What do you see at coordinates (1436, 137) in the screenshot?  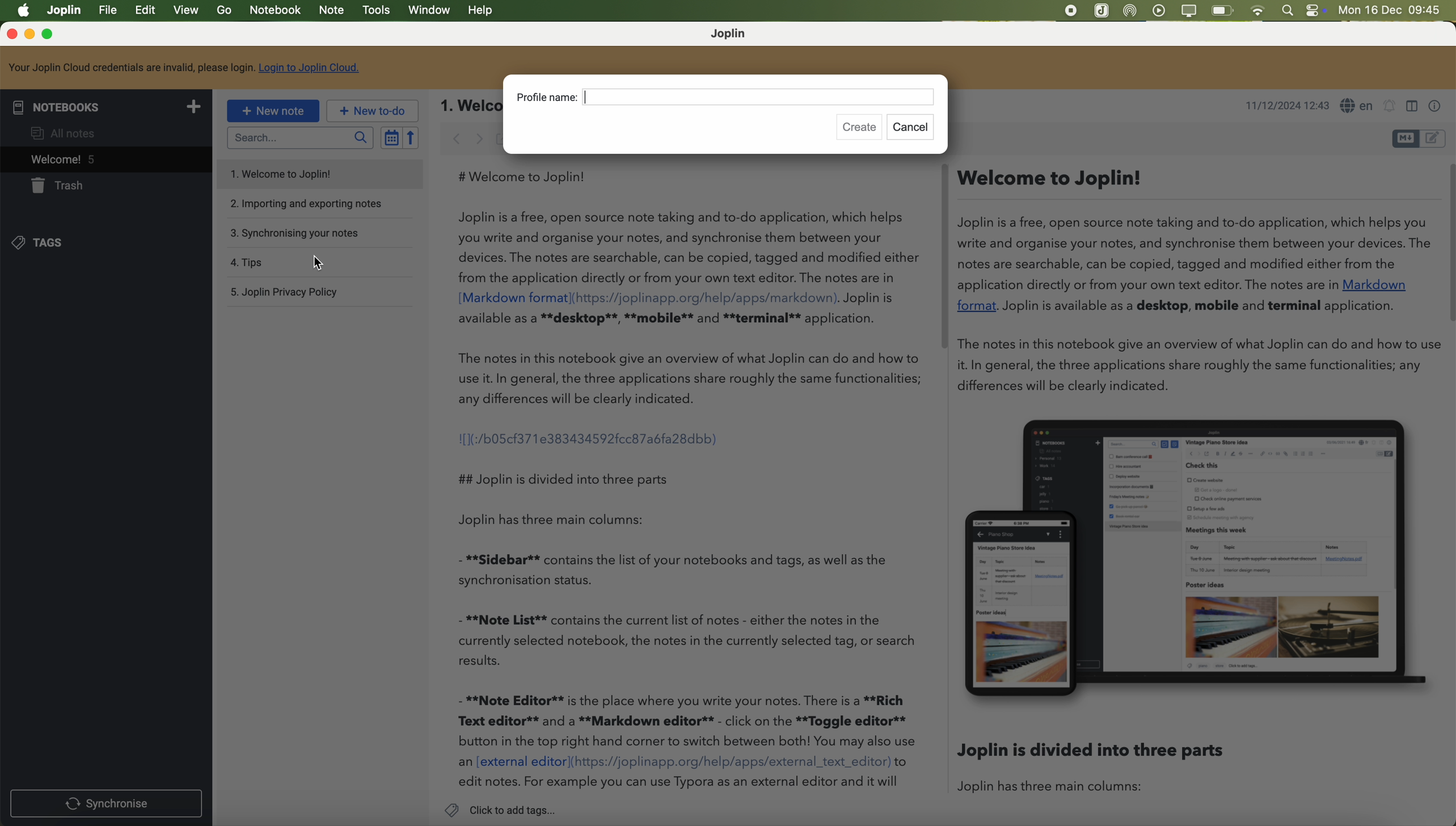 I see `toggle editors` at bounding box center [1436, 137].